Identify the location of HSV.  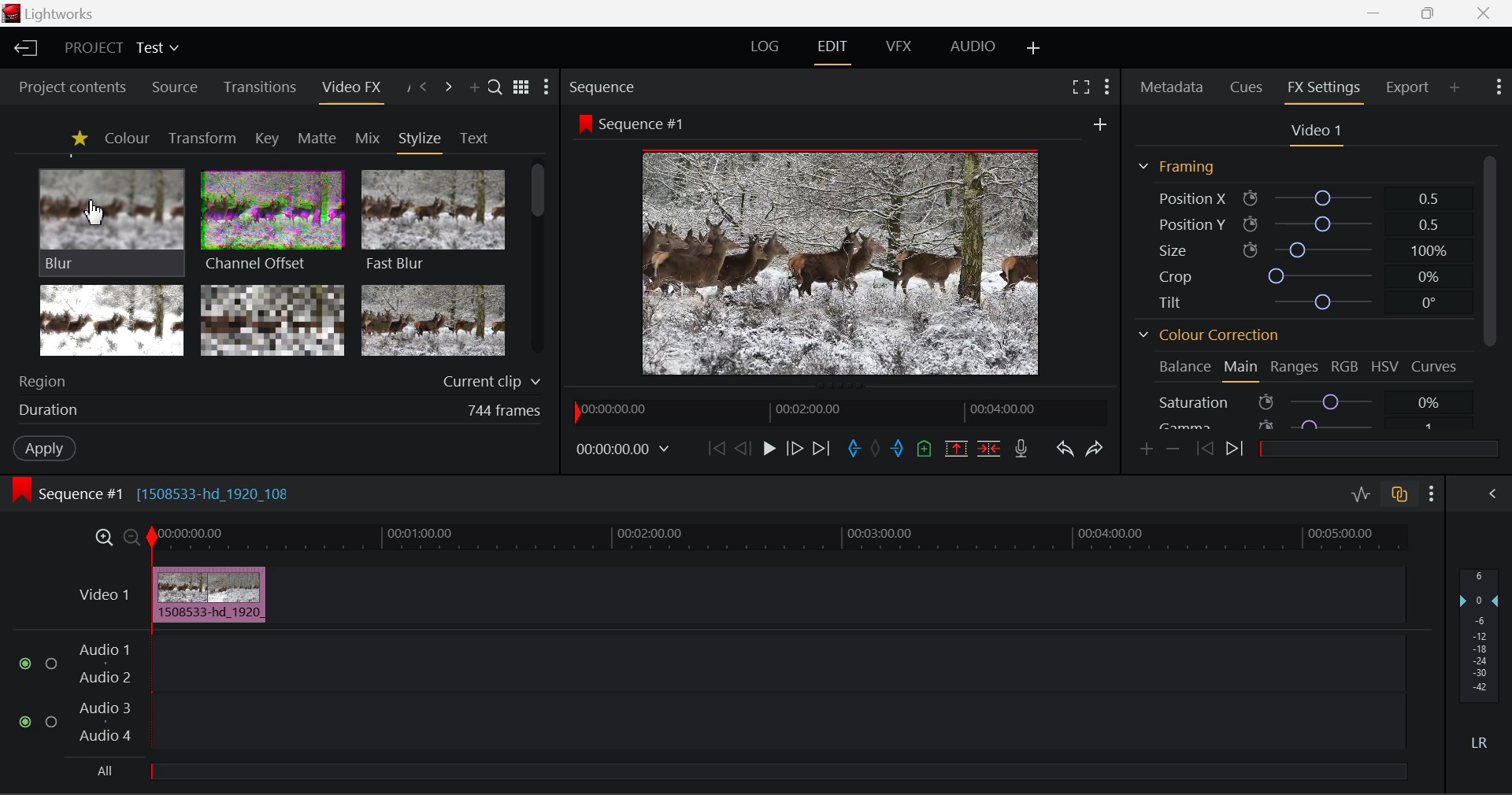
(1385, 368).